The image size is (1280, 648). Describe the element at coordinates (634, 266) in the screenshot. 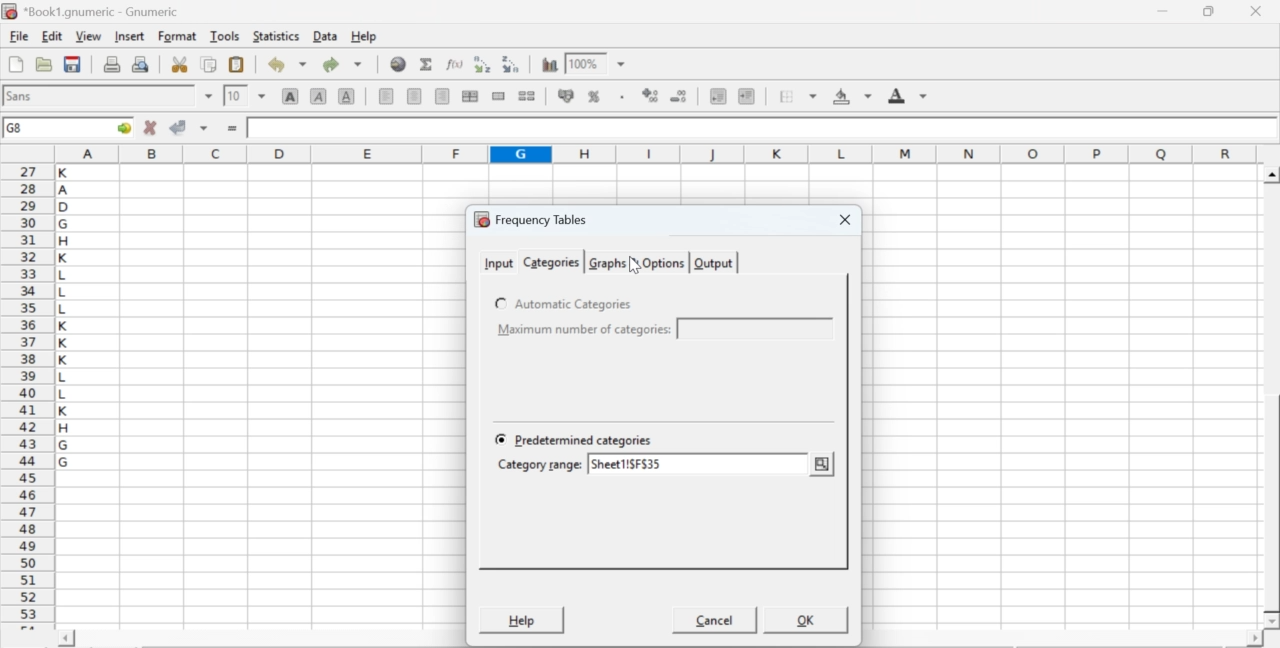

I see `cursor` at that location.